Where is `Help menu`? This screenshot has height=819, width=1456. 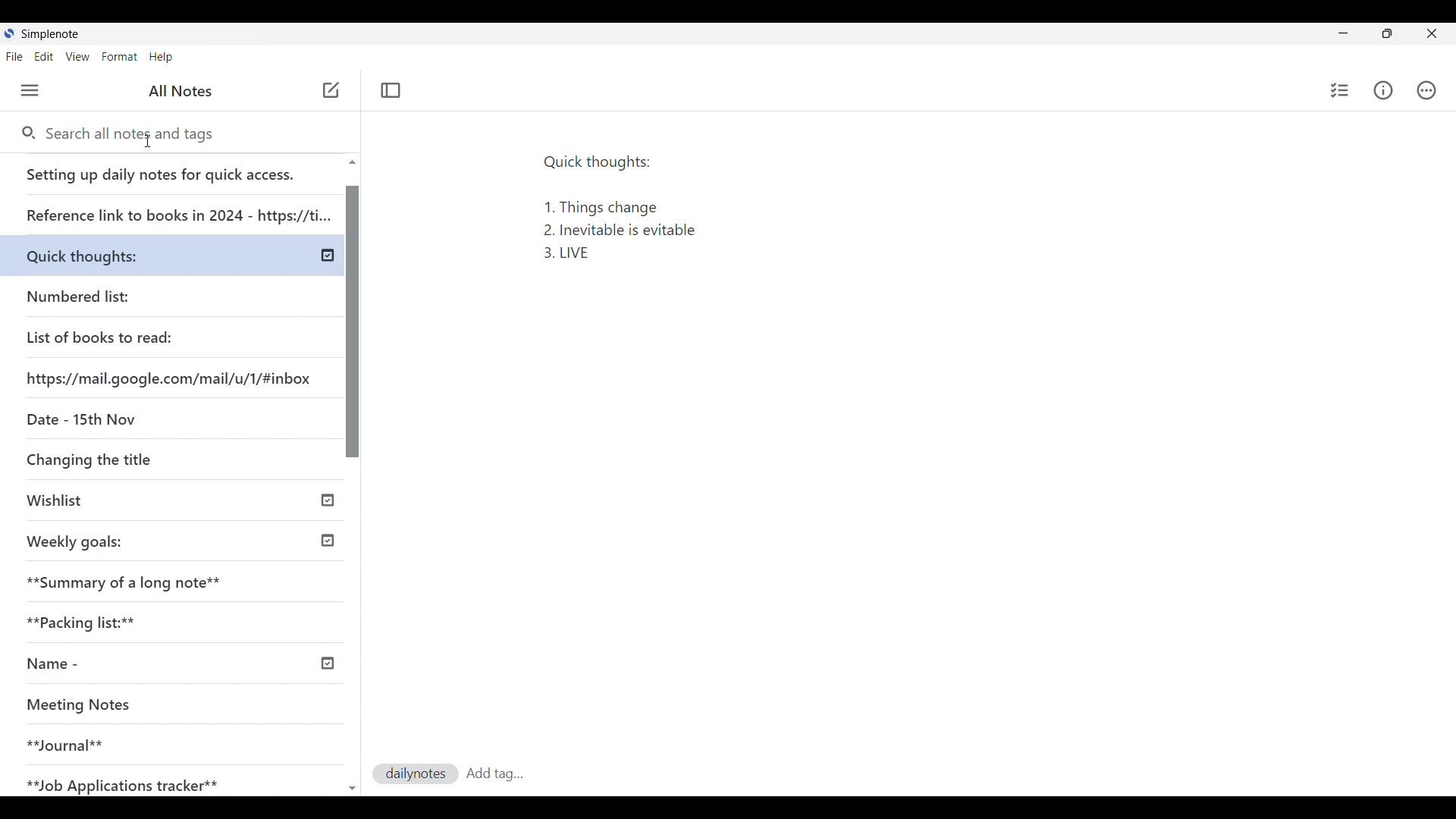
Help menu is located at coordinates (161, 57).